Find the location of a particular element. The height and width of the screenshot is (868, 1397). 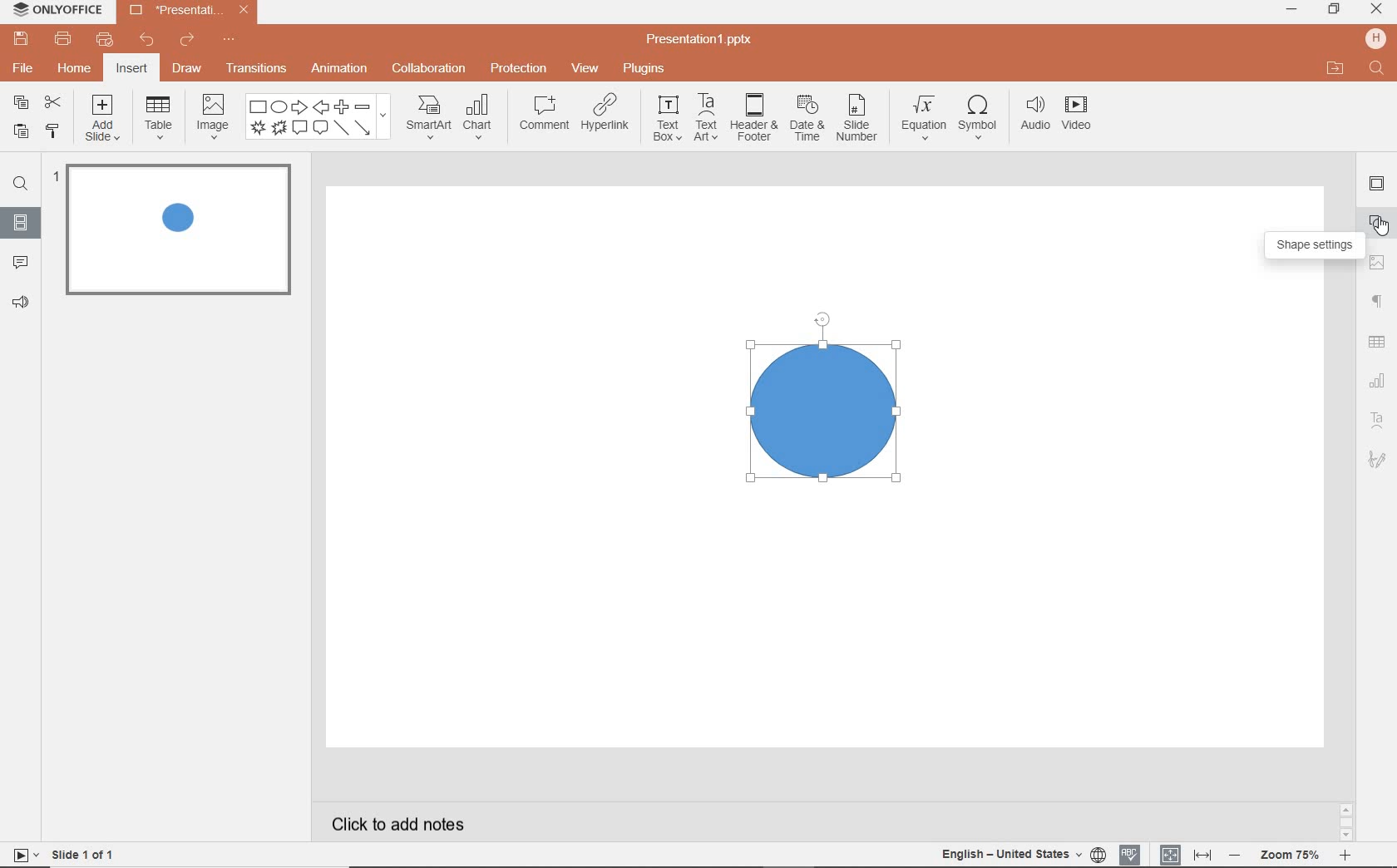

print is located at coordinates (64, 38).